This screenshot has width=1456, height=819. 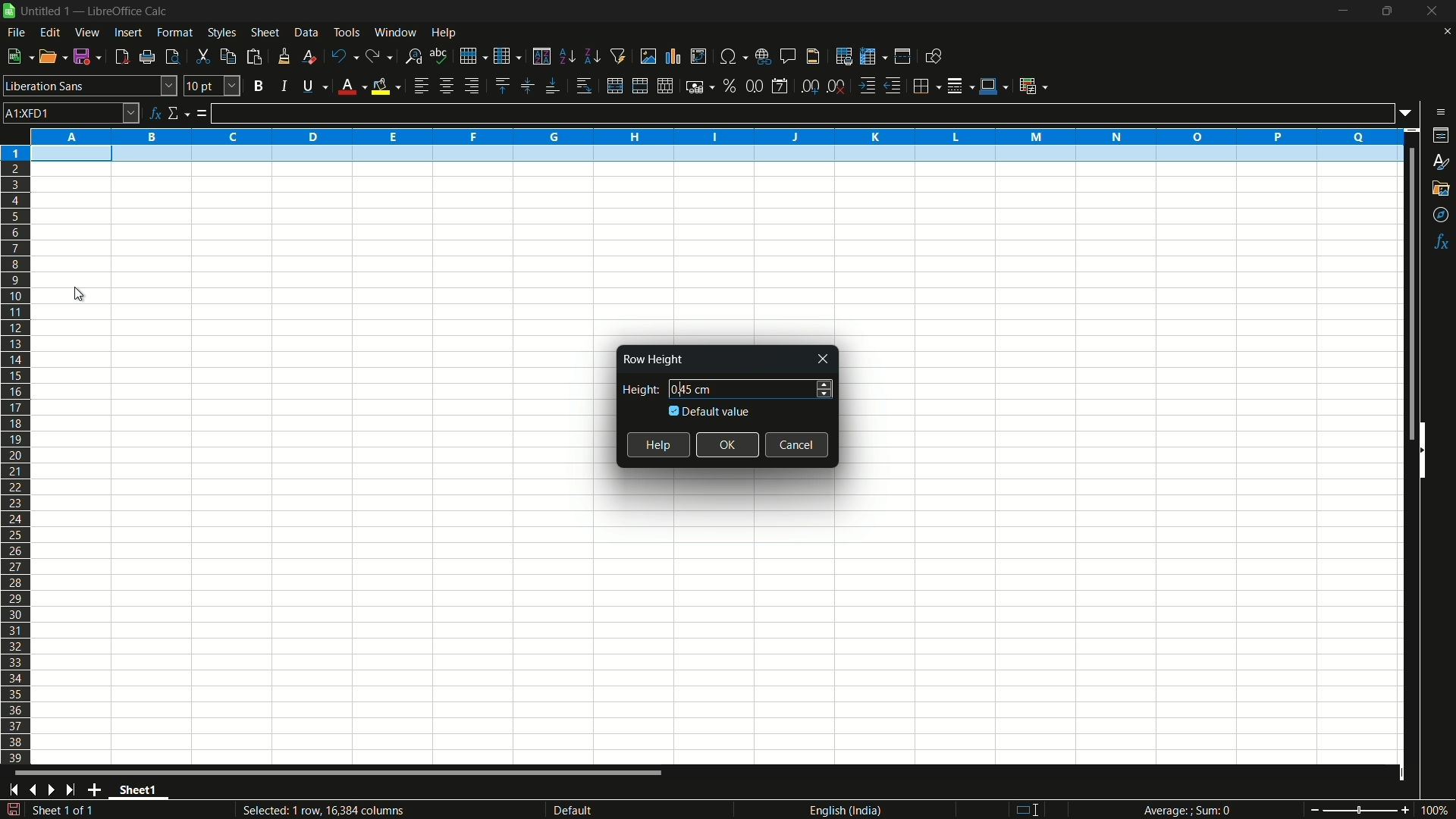 What do you see at coordinates (1442, 188) in the screenshot?
I see `gallery` at bounding box center [1442, 188].